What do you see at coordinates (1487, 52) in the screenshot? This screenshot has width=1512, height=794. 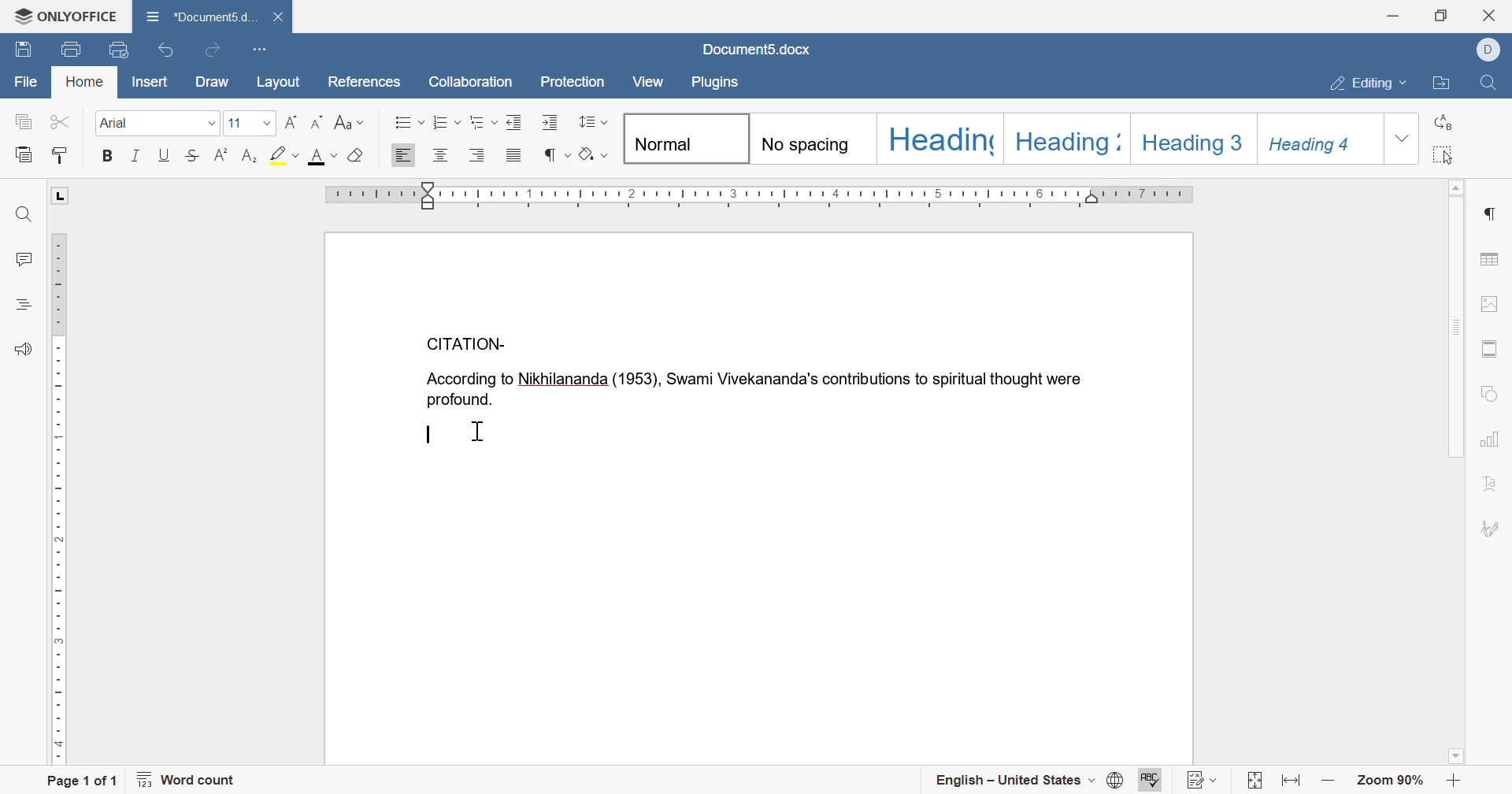 I see `dell` at bounding box center [1487, 52].